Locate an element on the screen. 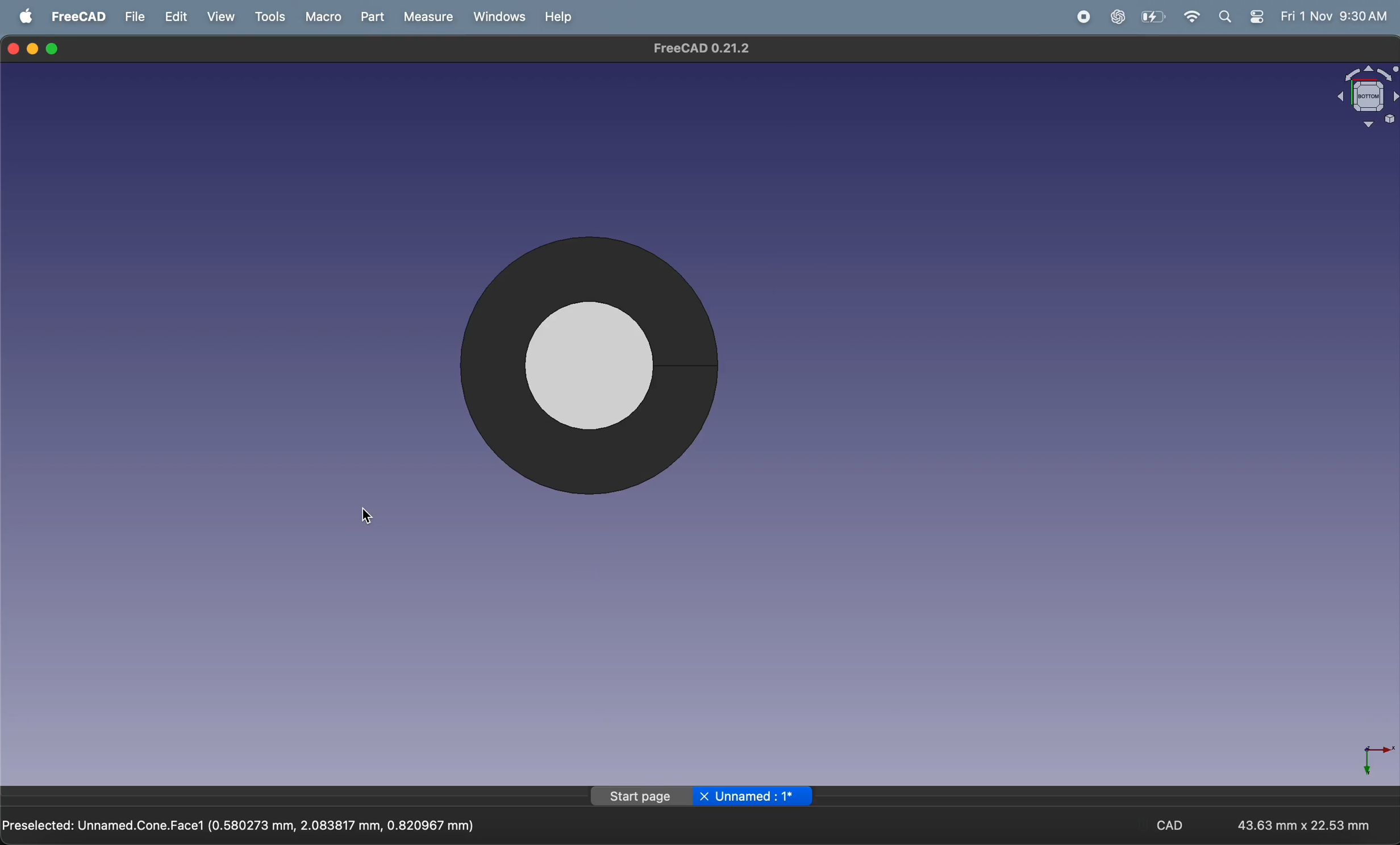  object view is located at coordinates (1352, 94).